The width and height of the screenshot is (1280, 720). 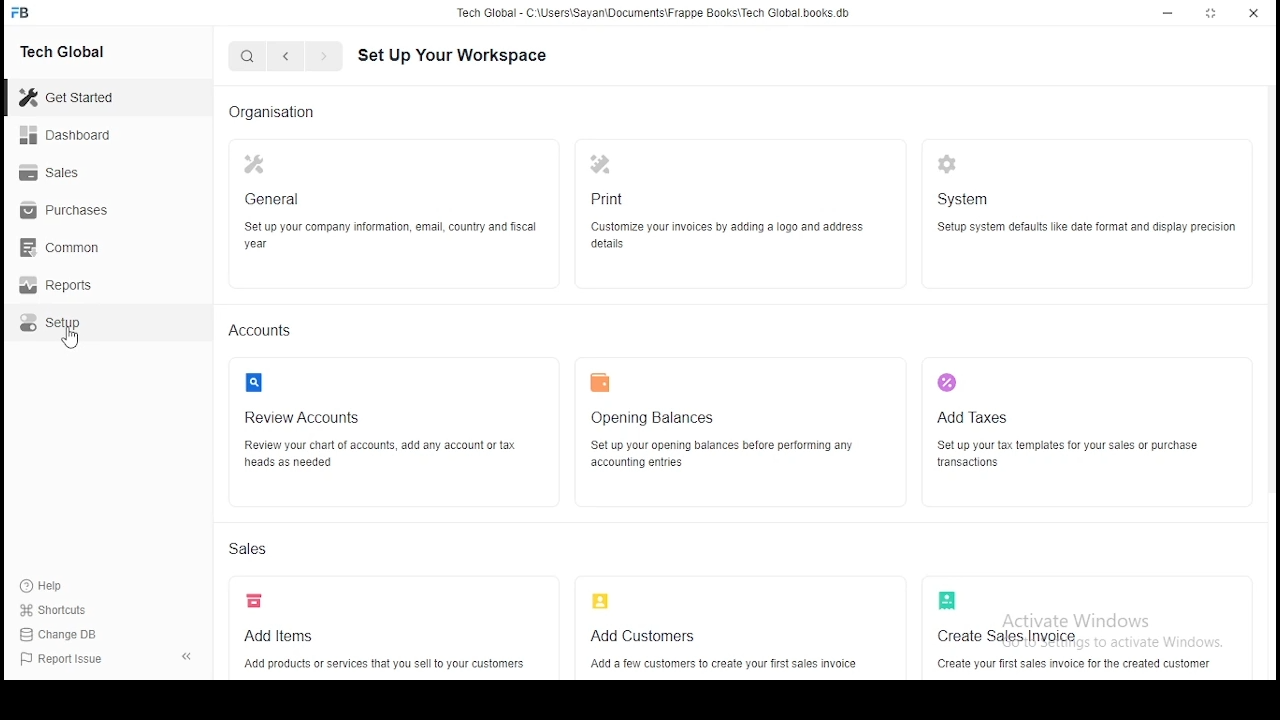 What do you see at coordinates (23, 13) in the screenshot?
I see `Frappe Books logo` at bounding box center [23, 13].